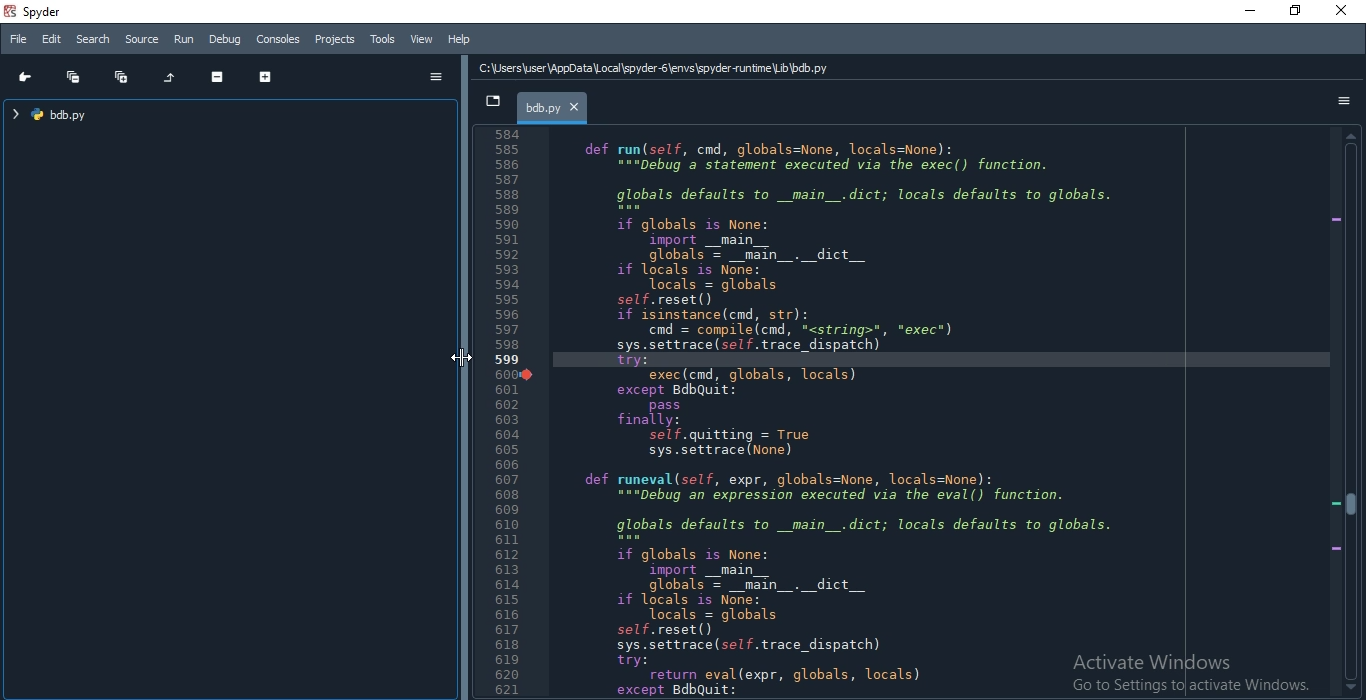 The image size is (1366, 700). I want to click on file tree, so click(62, 114).